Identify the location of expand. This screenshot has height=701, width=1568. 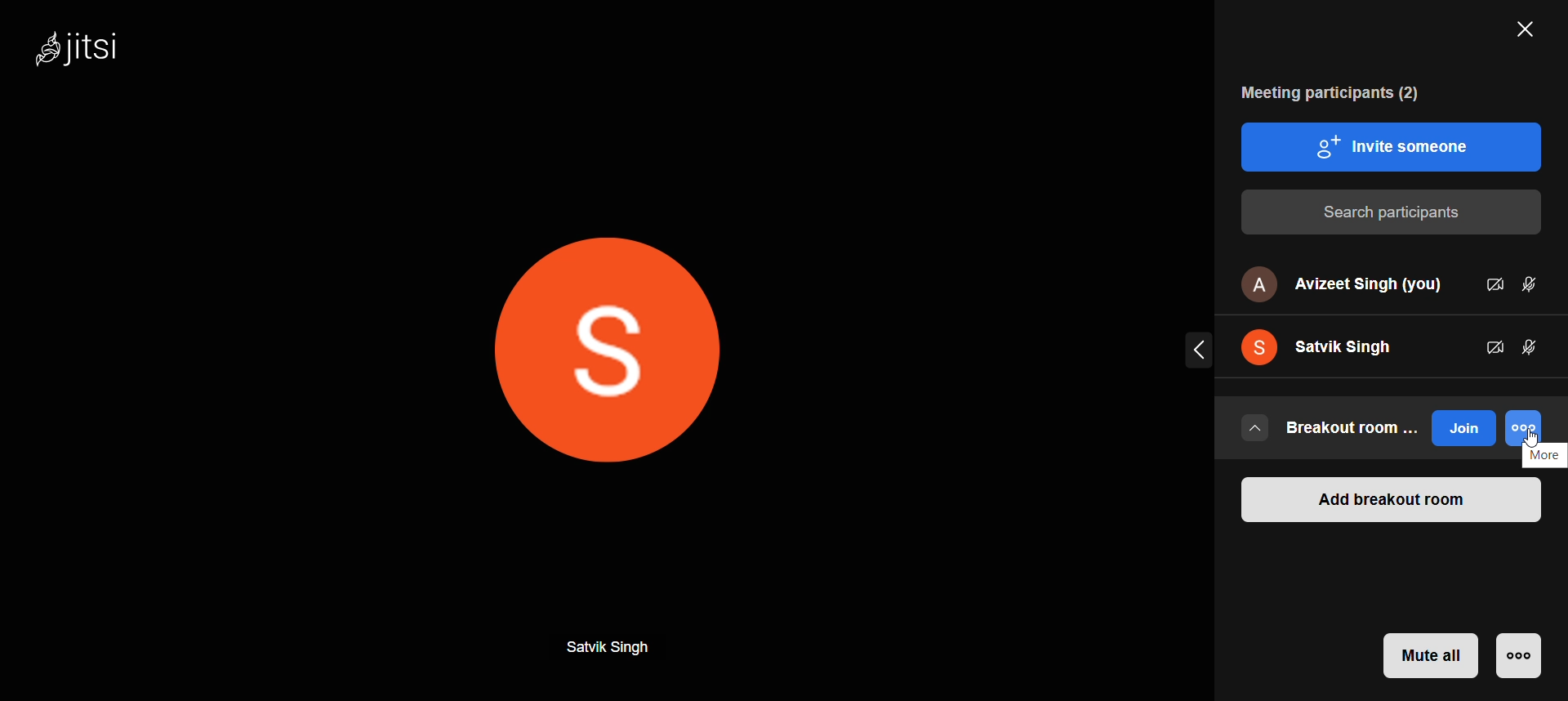
(1195, 349).